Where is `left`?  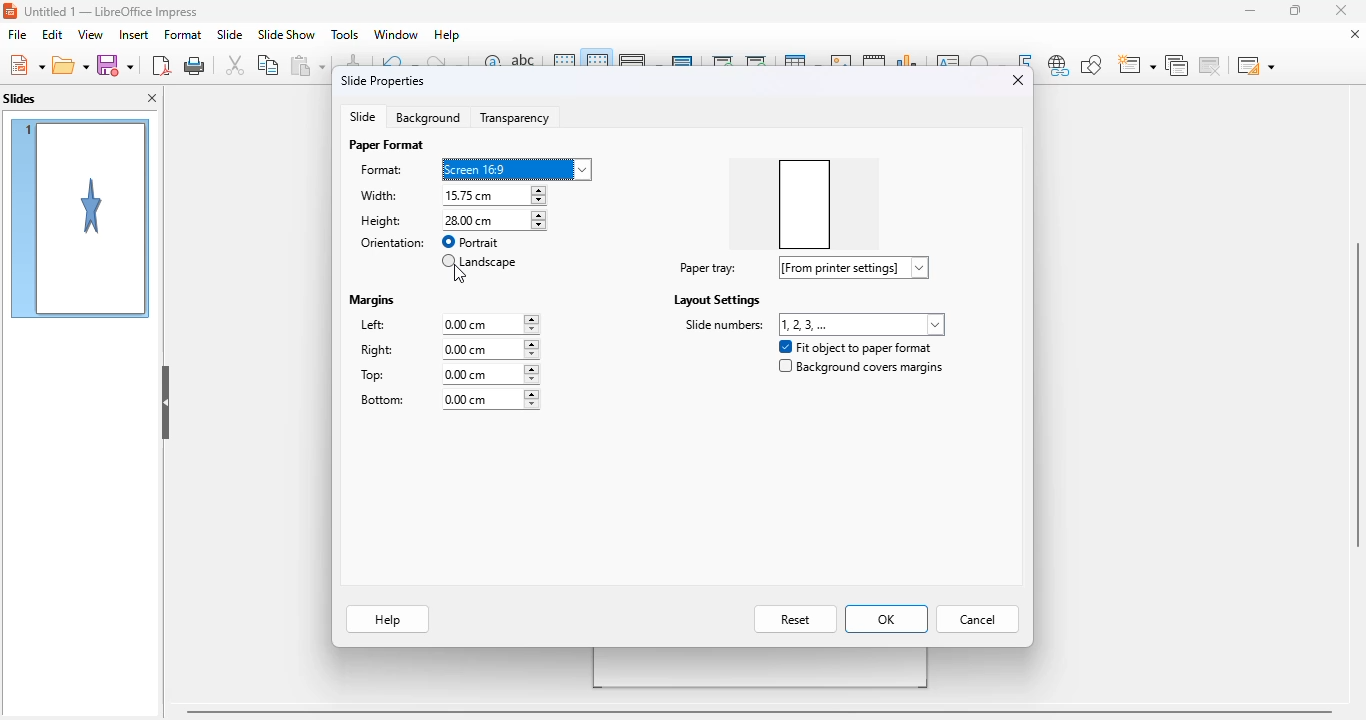 left is located at coordinates (384, 326).